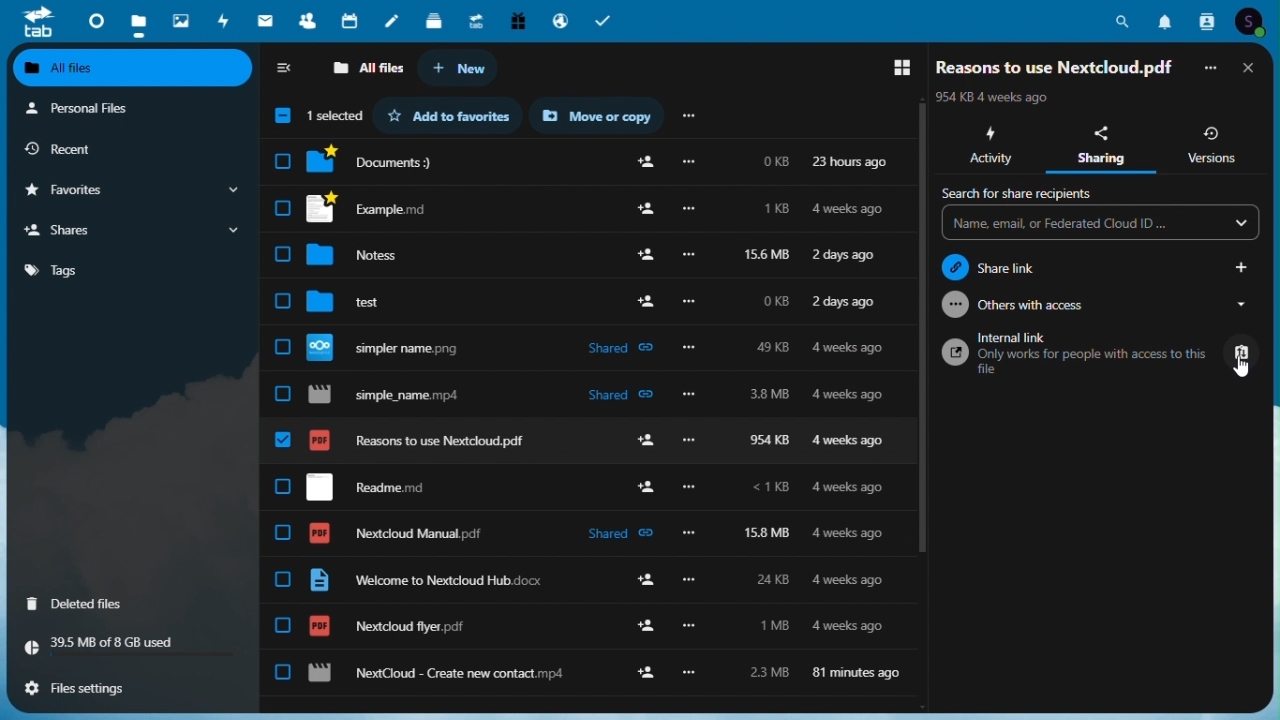  What do you see at coordinates (647, 165) in the screenshot?
I see ` add user` at bounding box center [647, 165].